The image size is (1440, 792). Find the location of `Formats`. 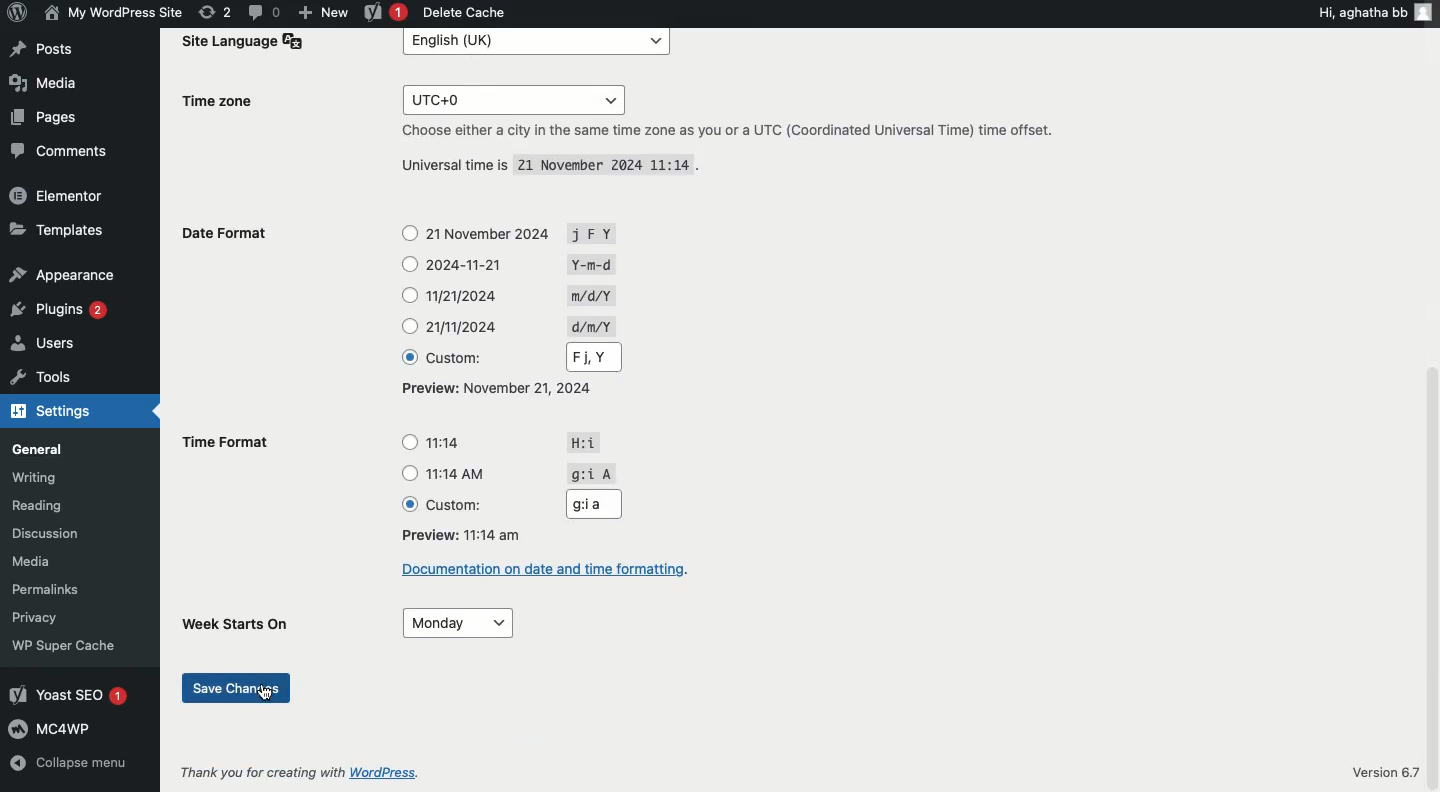

Formats is located at coordinates (501, 388).